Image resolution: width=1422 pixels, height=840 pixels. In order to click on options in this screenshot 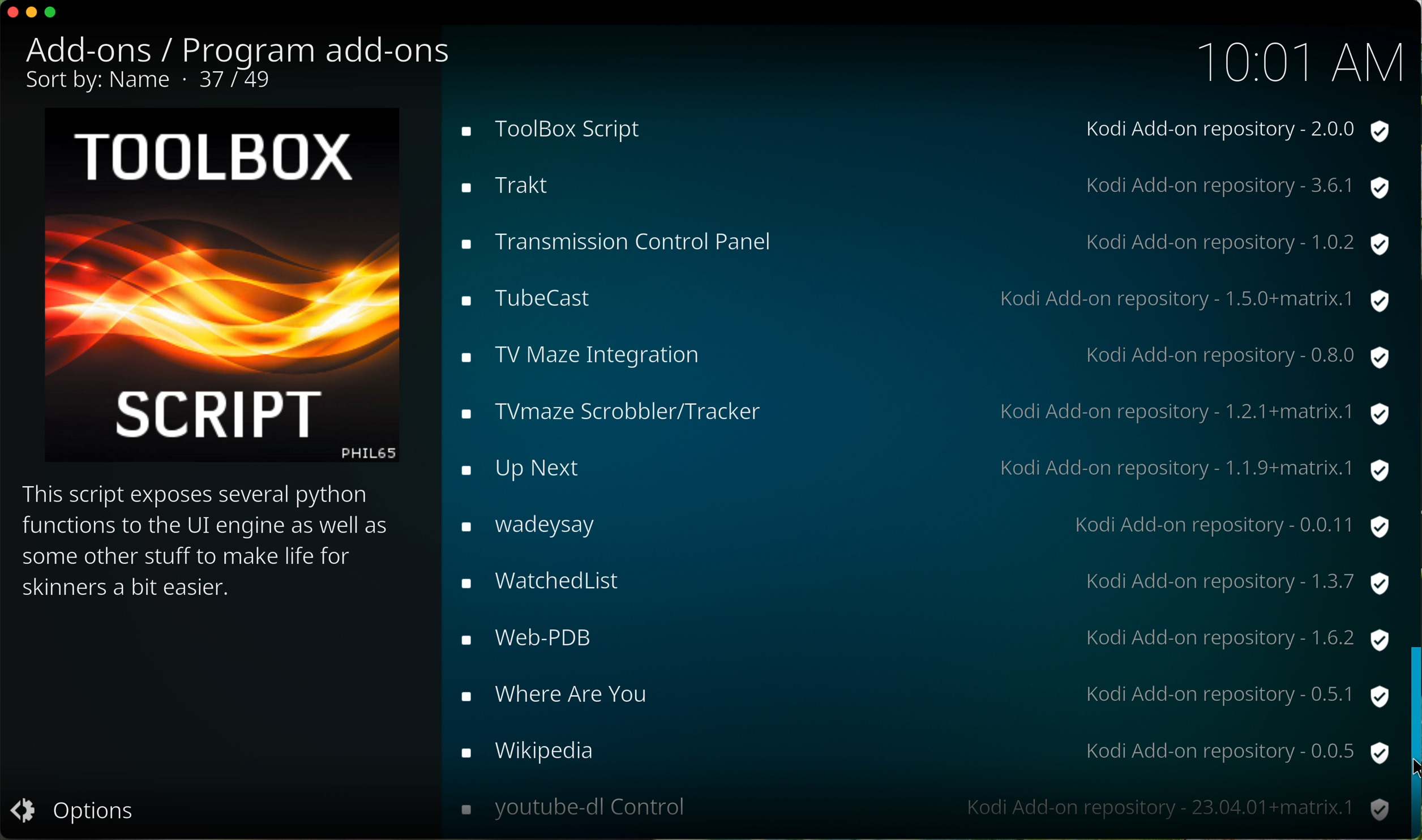, I will do `click(79, 813)`.